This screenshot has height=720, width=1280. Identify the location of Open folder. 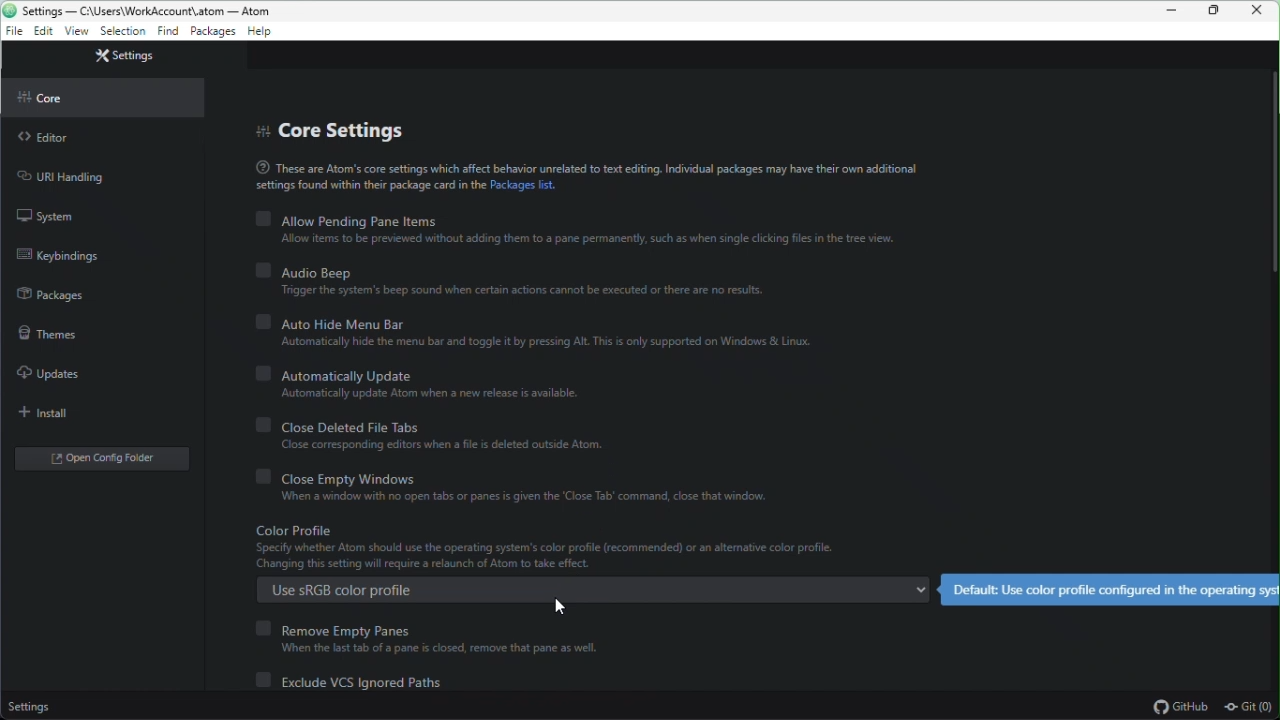
(97, 460).